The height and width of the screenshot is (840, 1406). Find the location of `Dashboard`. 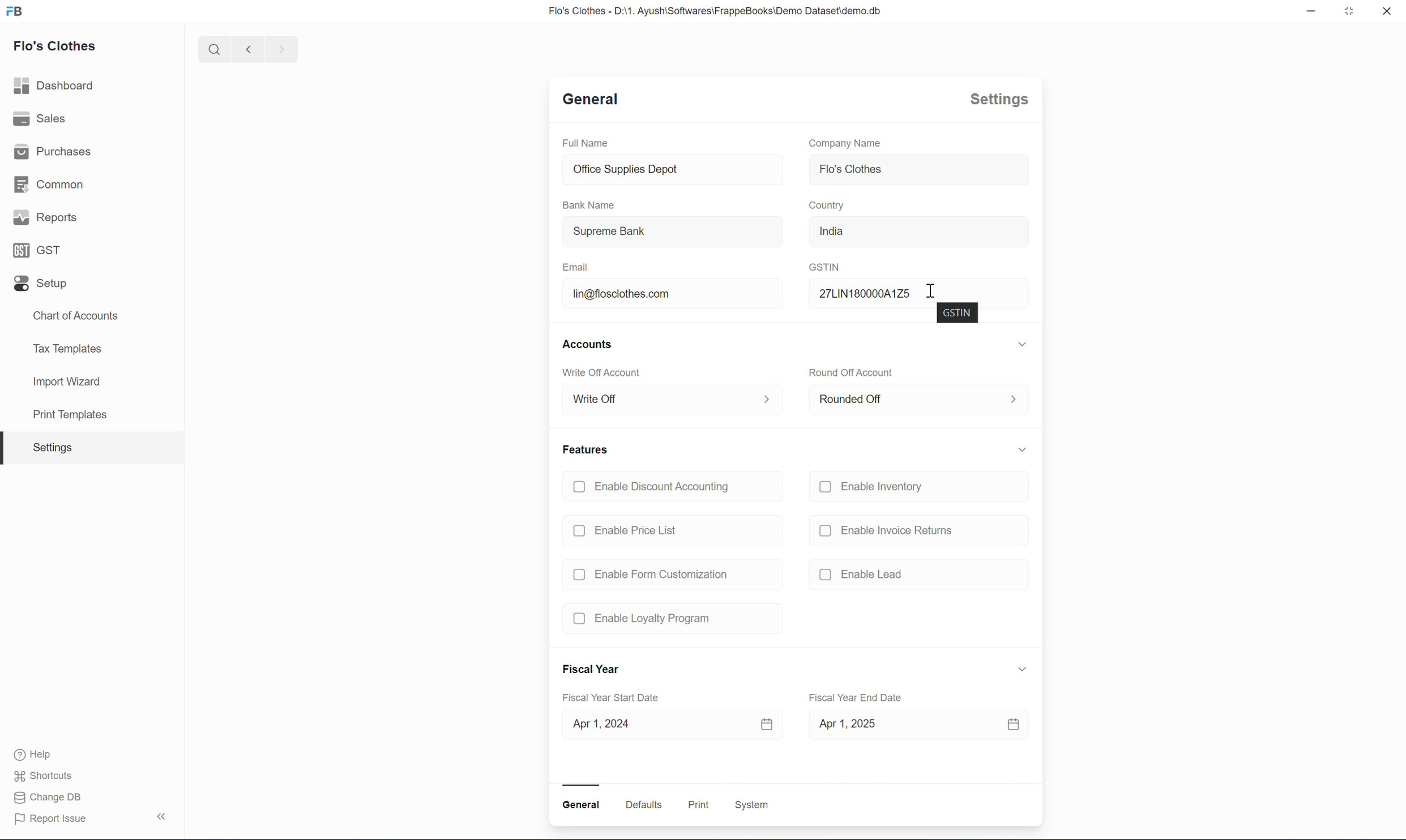

Dashboard is located at coordinates (55, 87).